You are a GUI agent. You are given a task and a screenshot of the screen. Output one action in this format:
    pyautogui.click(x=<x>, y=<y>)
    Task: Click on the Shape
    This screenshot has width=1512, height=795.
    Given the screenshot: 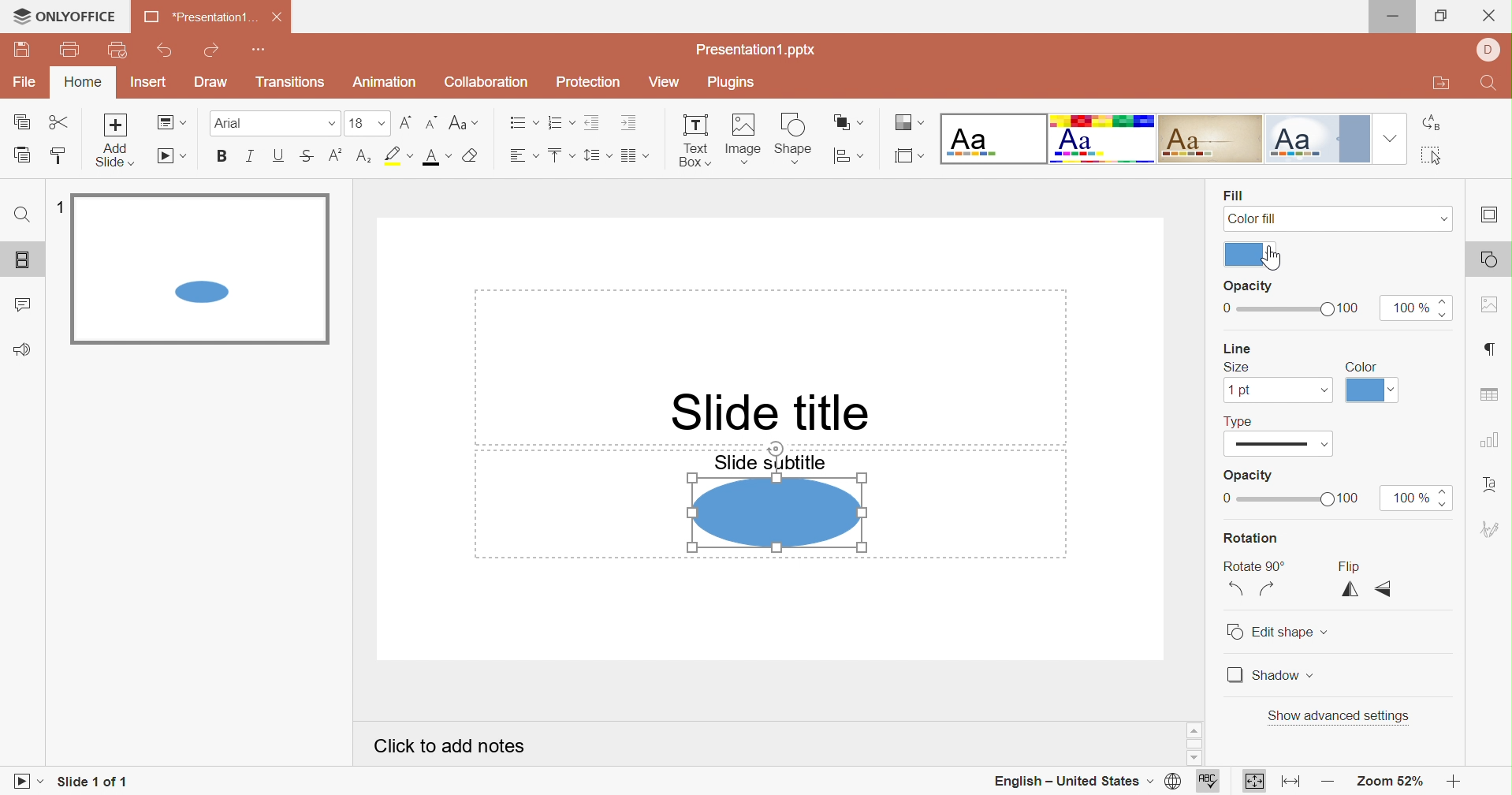 What is the action you would take?
    pyautogui.click(x=776, y=513)
    